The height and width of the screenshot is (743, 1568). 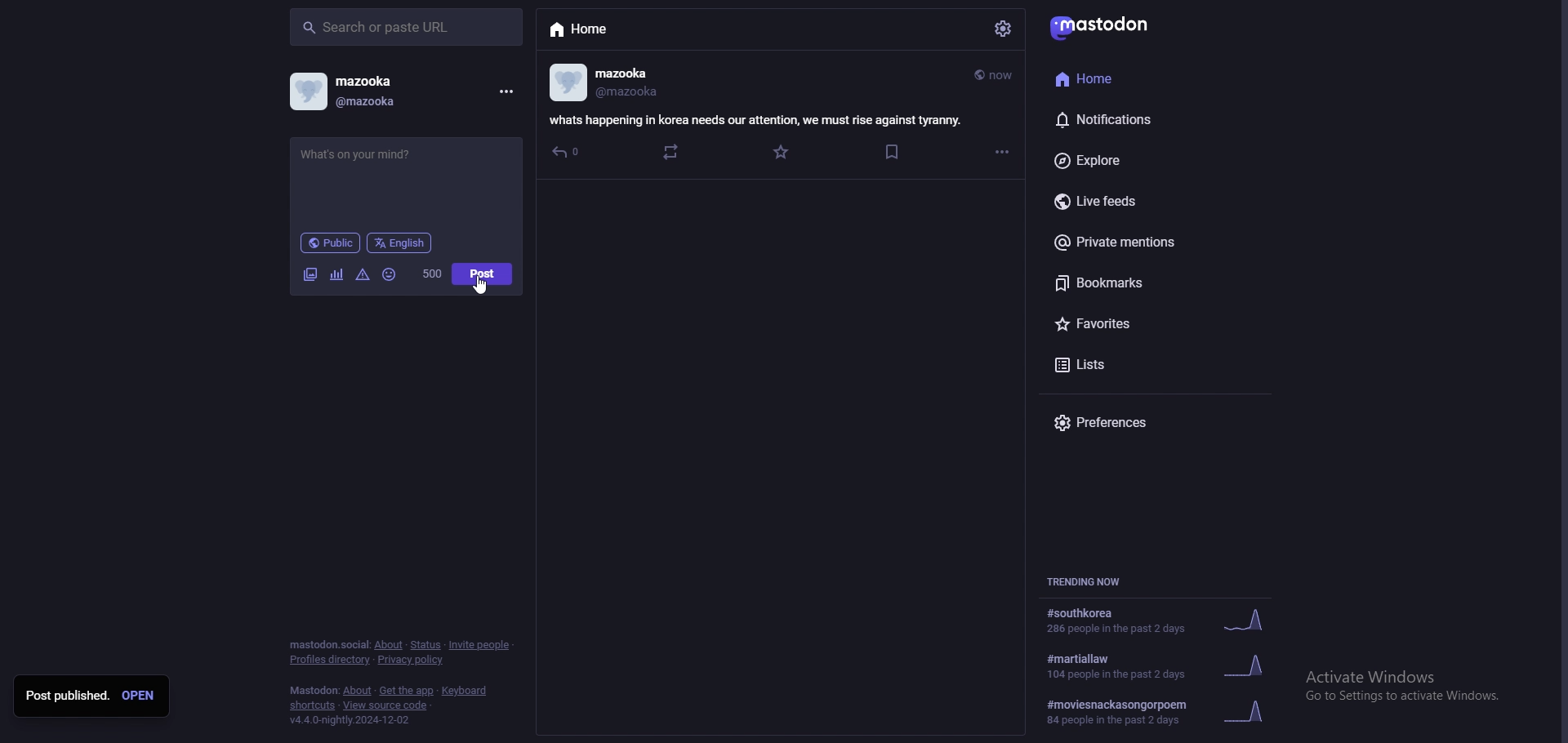 What do you see at coordinates (380, 725) in the screenshot?
I see `Application version` at bounding box center [380, 725].